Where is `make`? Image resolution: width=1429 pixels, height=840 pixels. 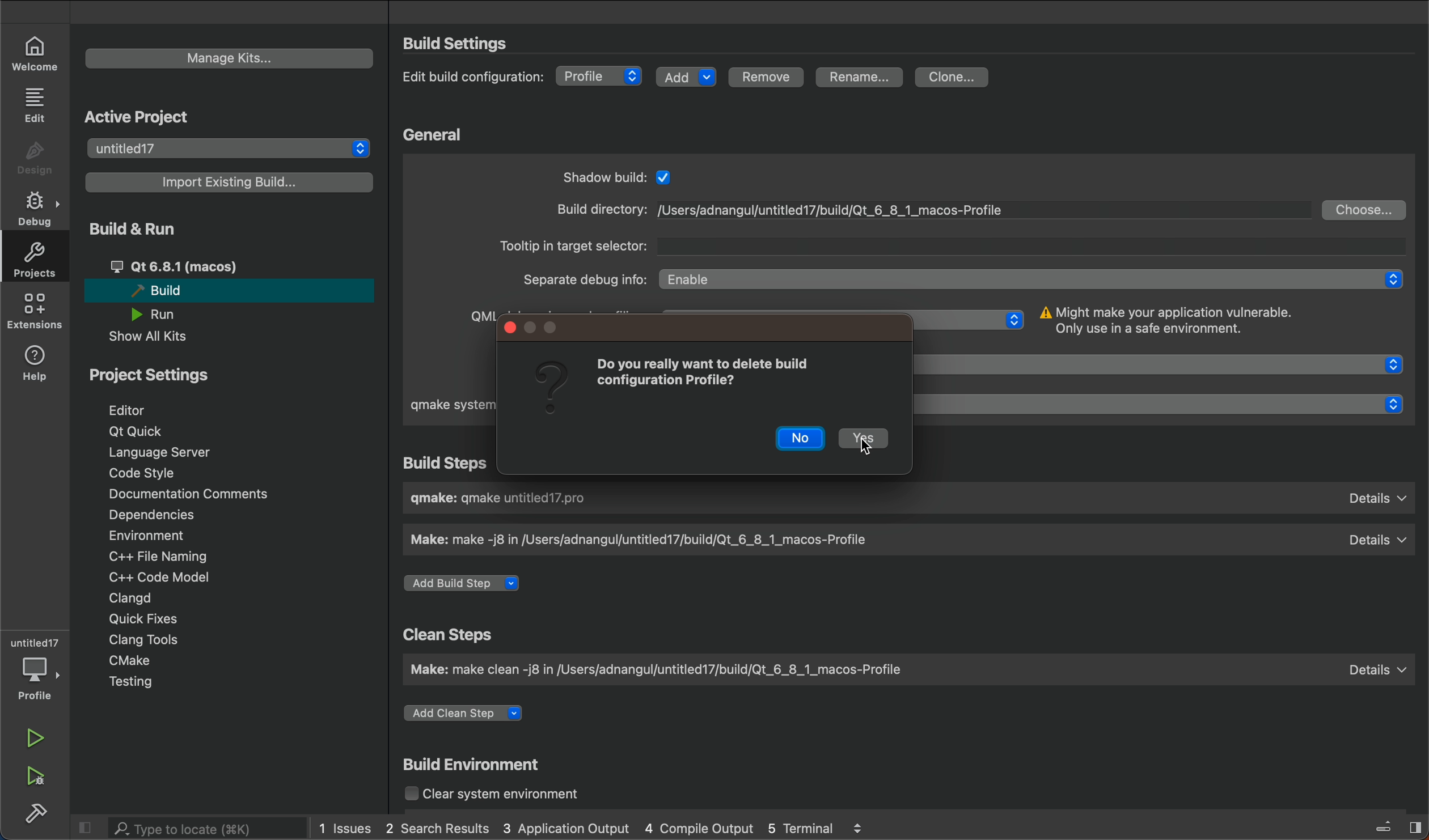 make is located at coordinates (650, 541).